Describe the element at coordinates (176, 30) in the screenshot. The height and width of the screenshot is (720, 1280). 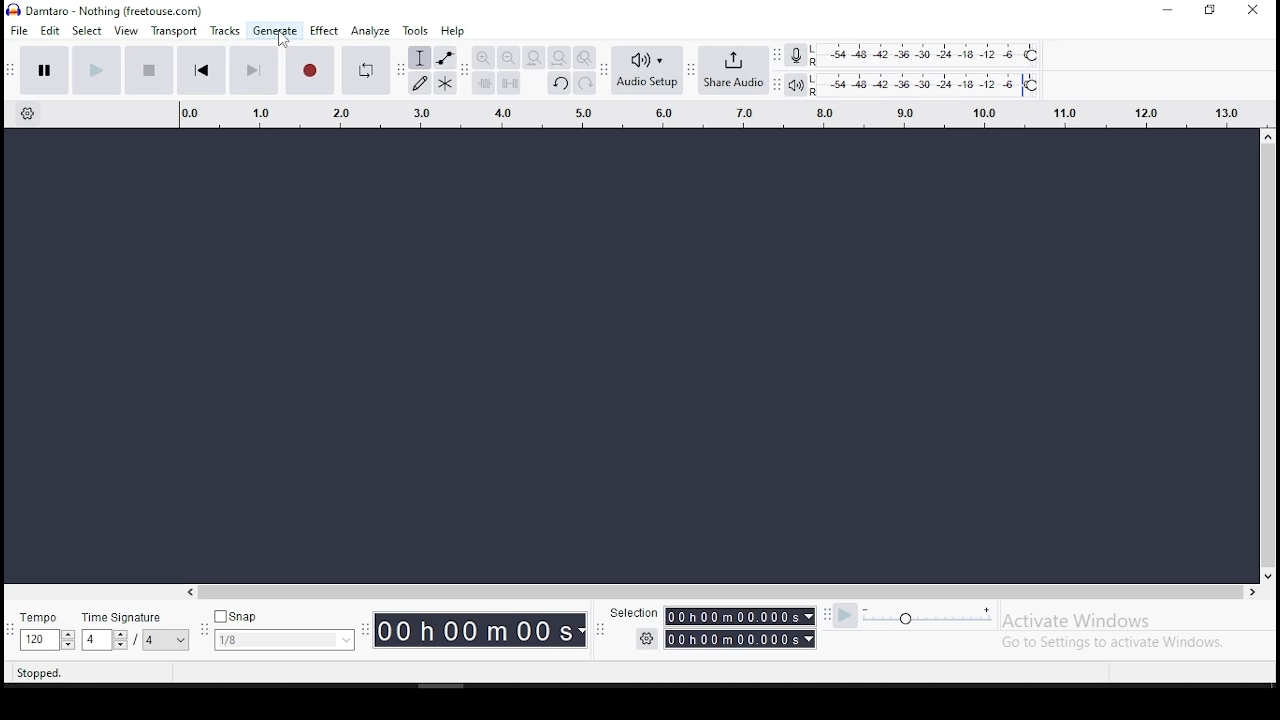
I see `transport` at that location.